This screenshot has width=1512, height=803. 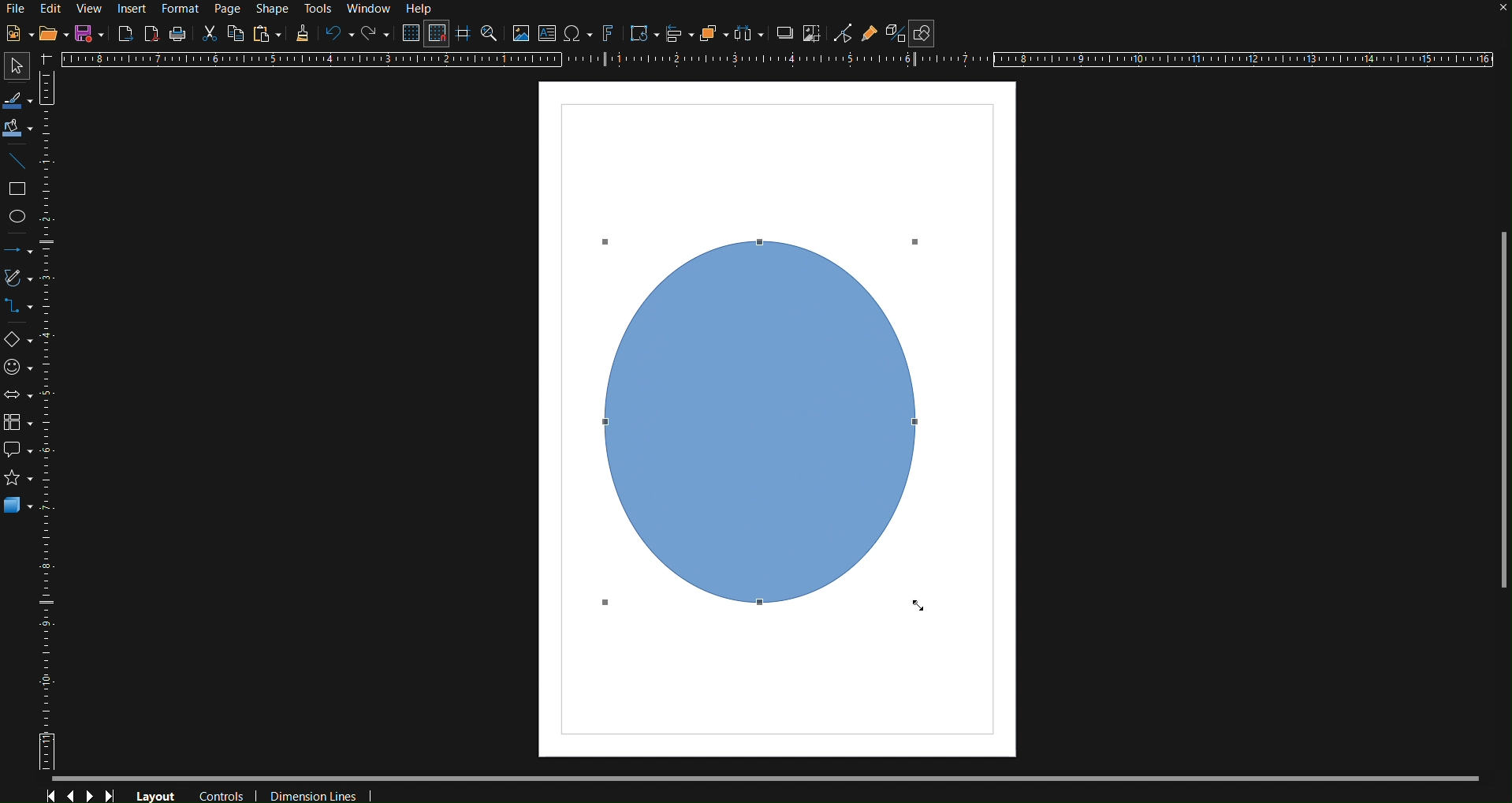 I want to click on Block Arrows, so click(x=20, y=394).